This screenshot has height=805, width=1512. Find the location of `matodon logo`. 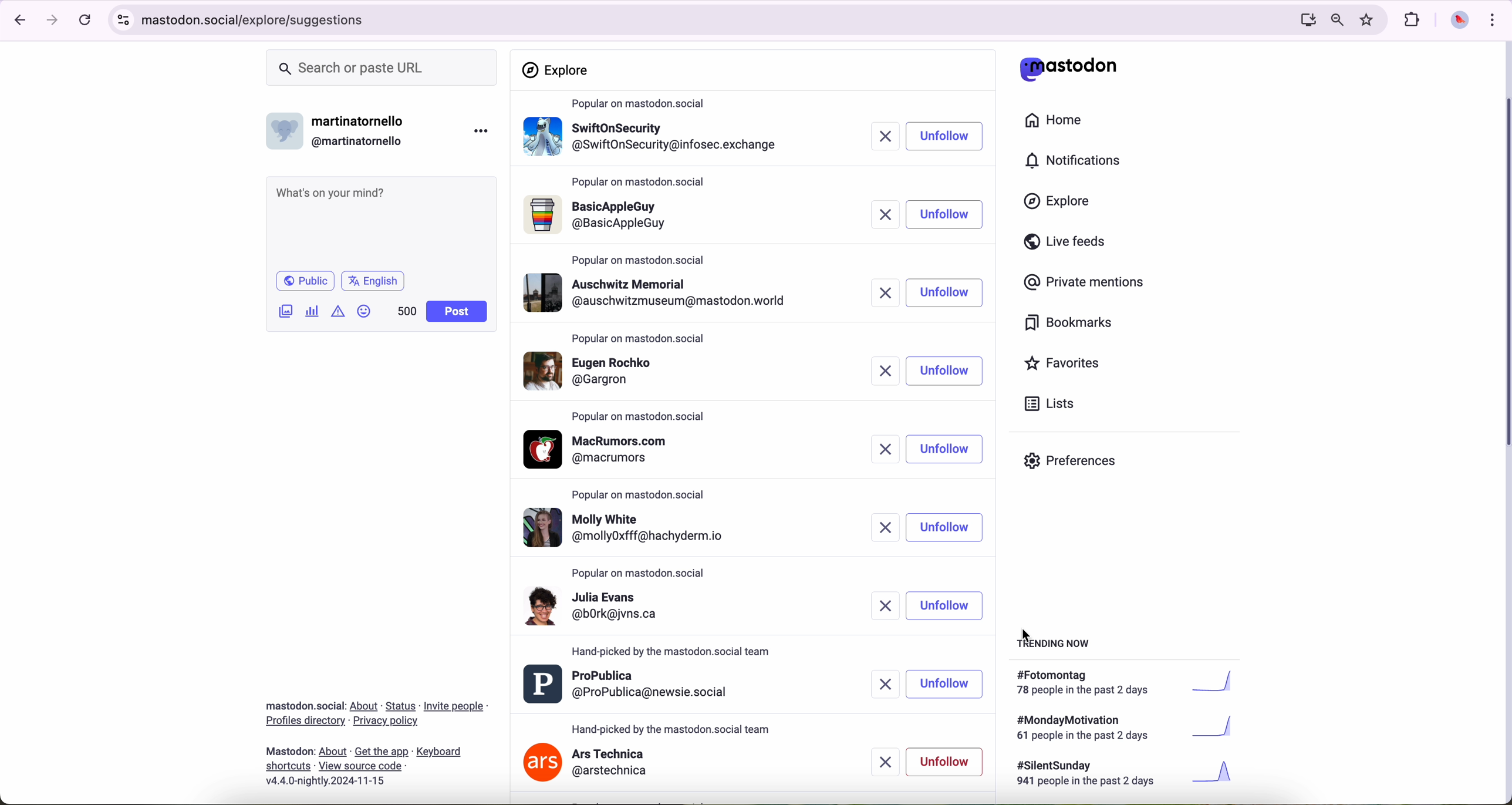

matodon logo is located at coordinates (1069, 69).